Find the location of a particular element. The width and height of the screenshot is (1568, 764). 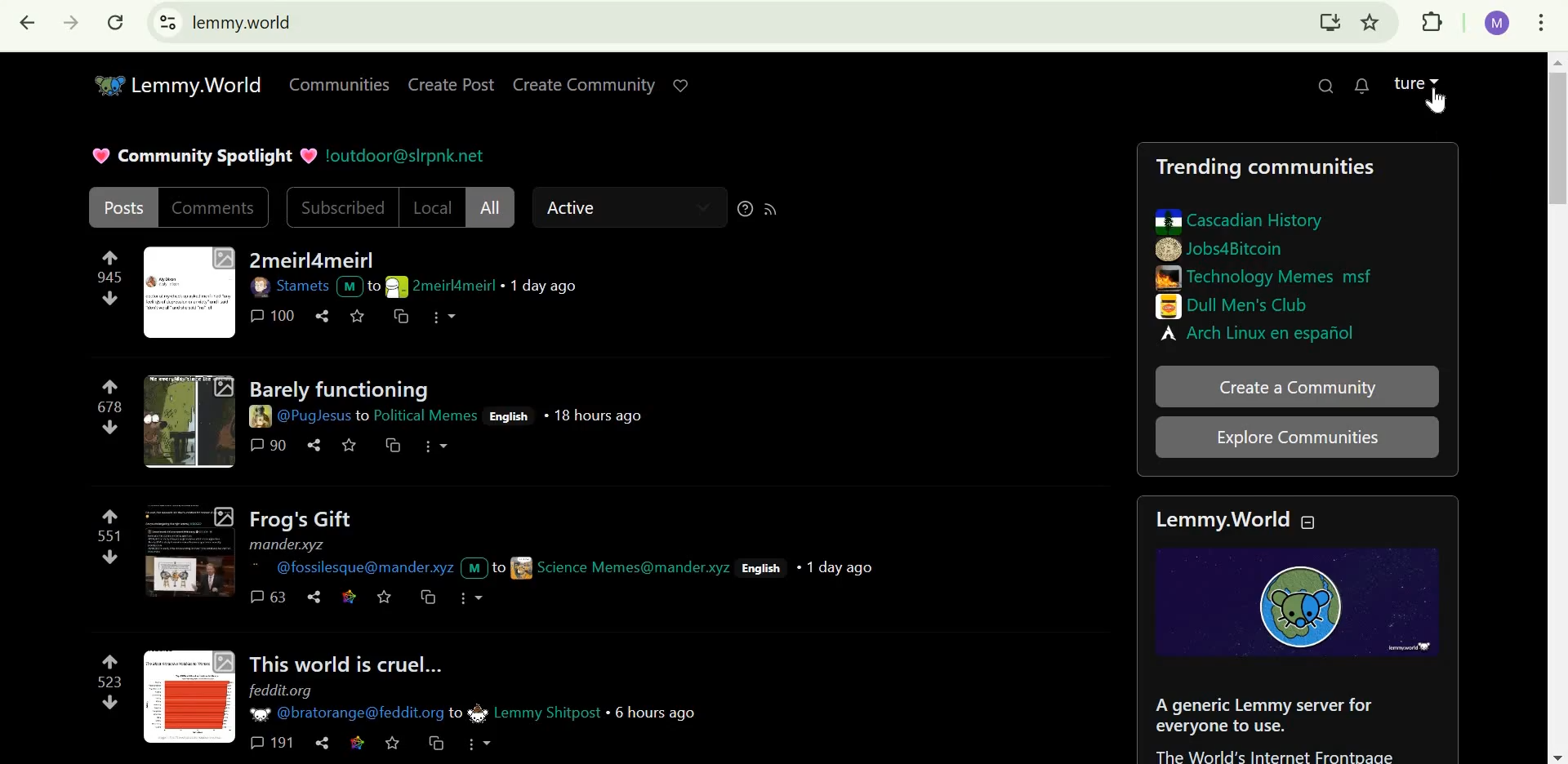

view site information is located at coordinates (168, 22).